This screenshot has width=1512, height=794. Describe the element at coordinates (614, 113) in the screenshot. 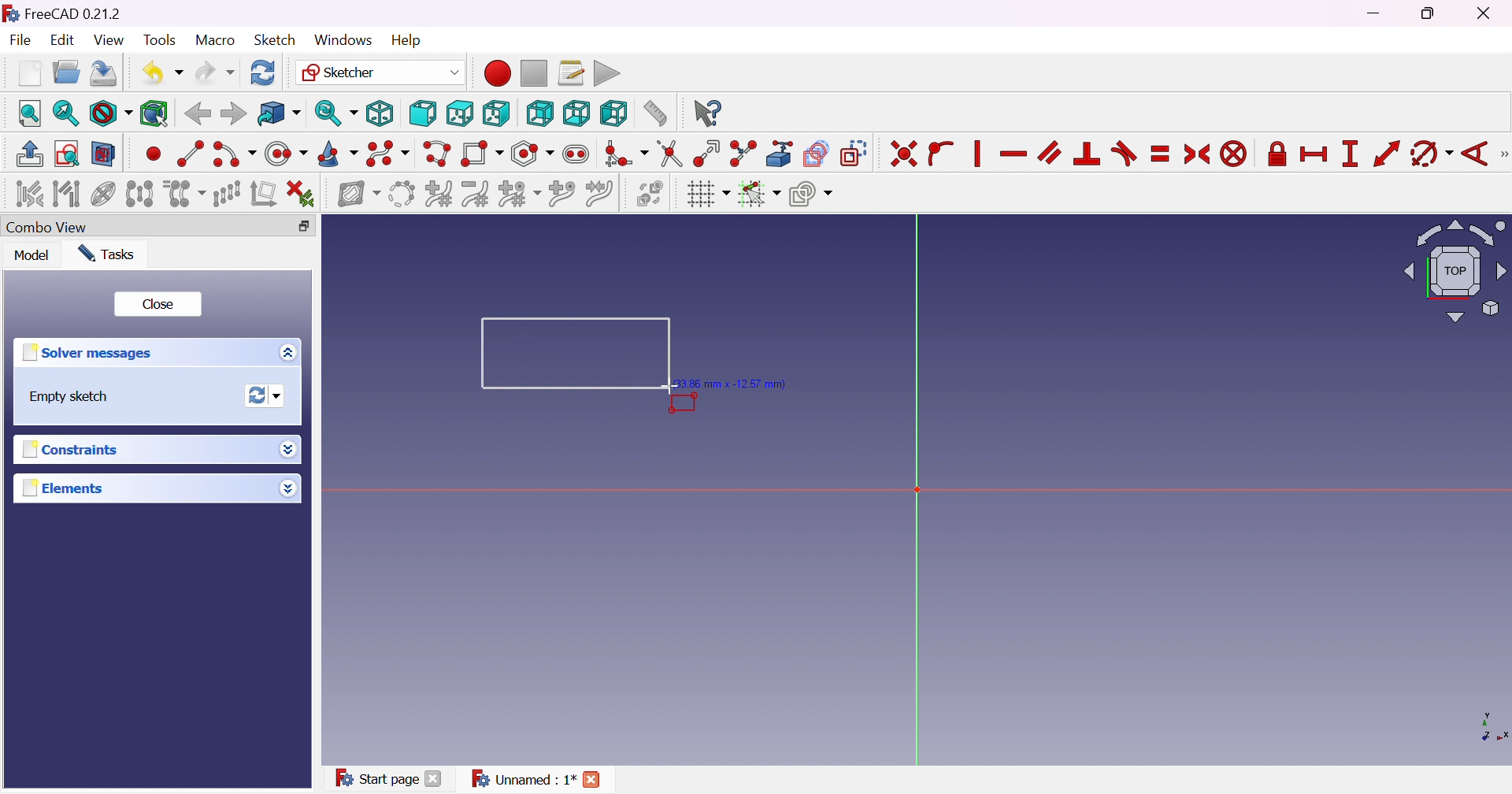

I see `Left` at that location.